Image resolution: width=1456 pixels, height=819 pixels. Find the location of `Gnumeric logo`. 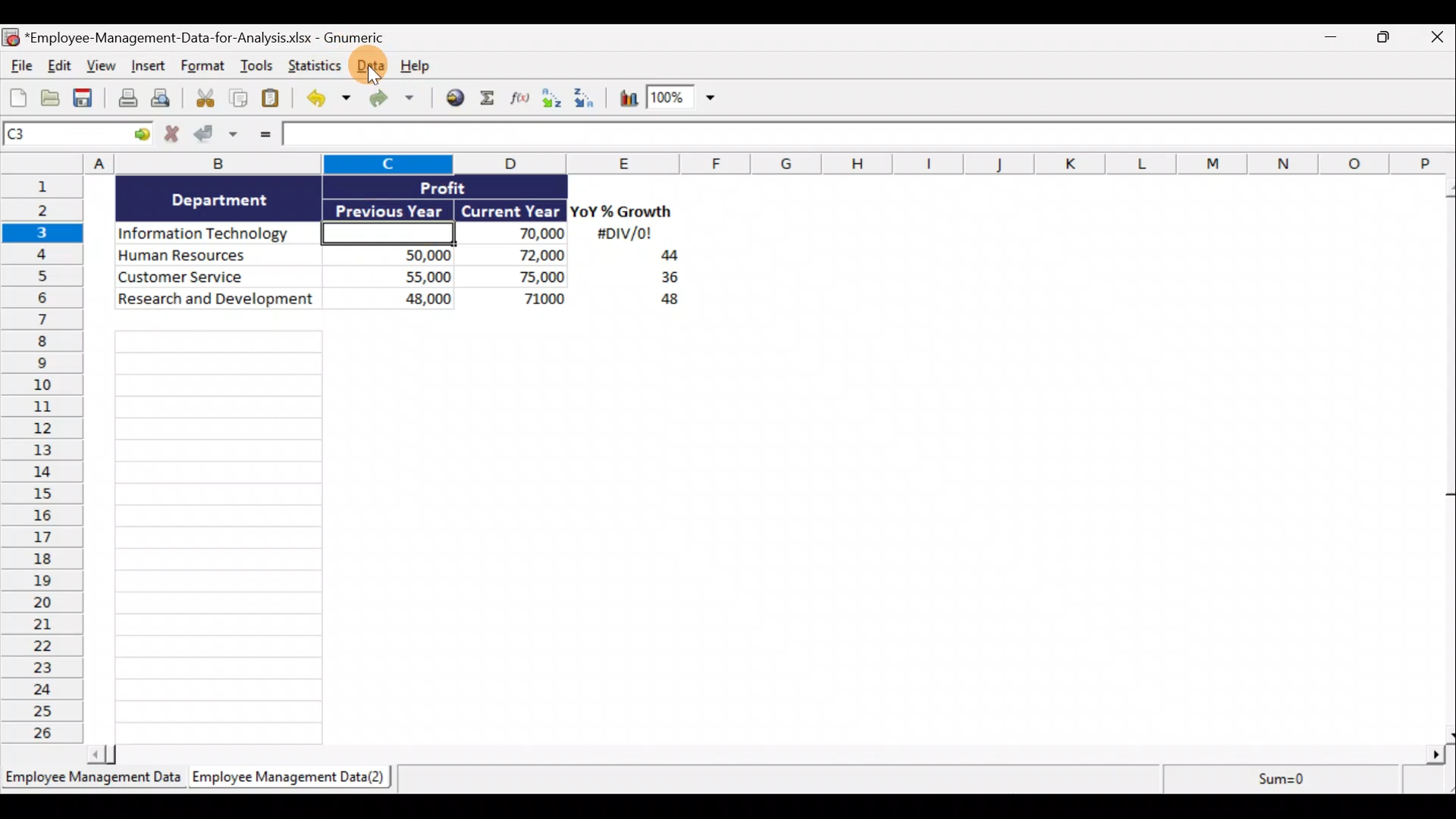

Gnumeric logo is located at coordinates (10, 37).